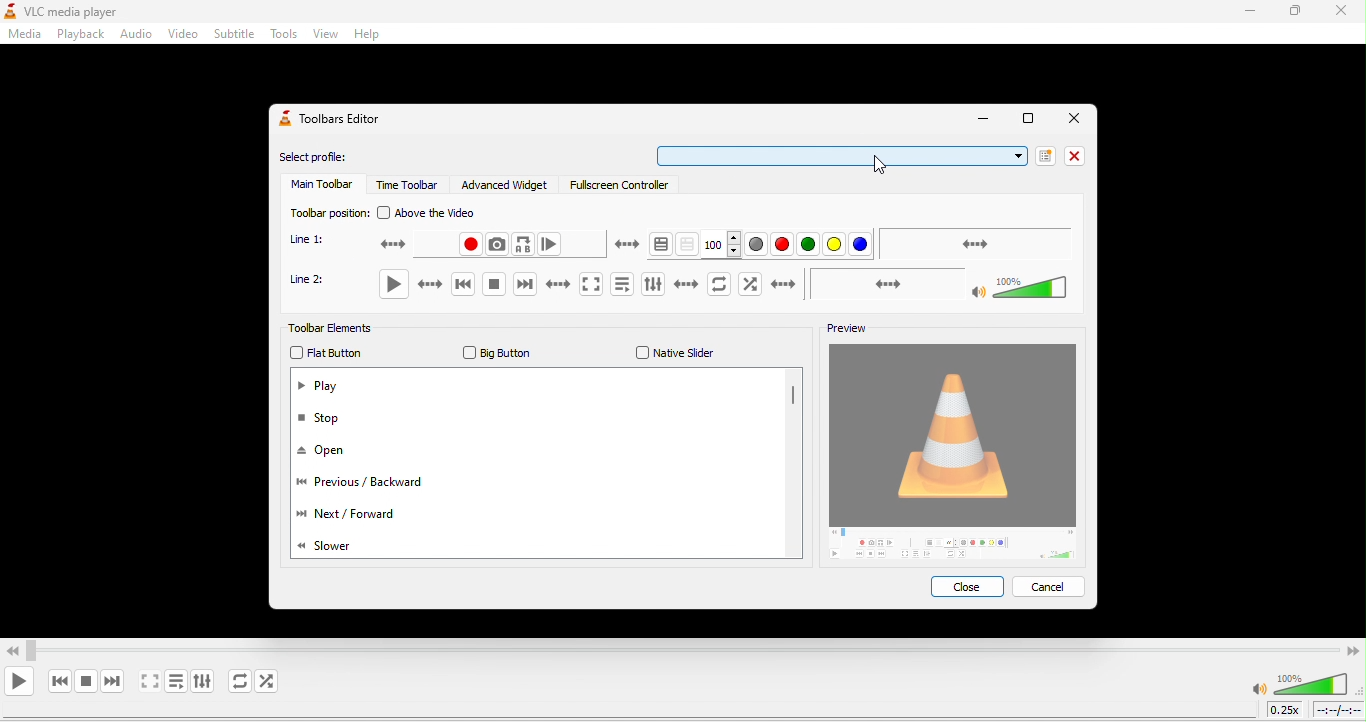  I want to click on line 2, so click(316, 280).